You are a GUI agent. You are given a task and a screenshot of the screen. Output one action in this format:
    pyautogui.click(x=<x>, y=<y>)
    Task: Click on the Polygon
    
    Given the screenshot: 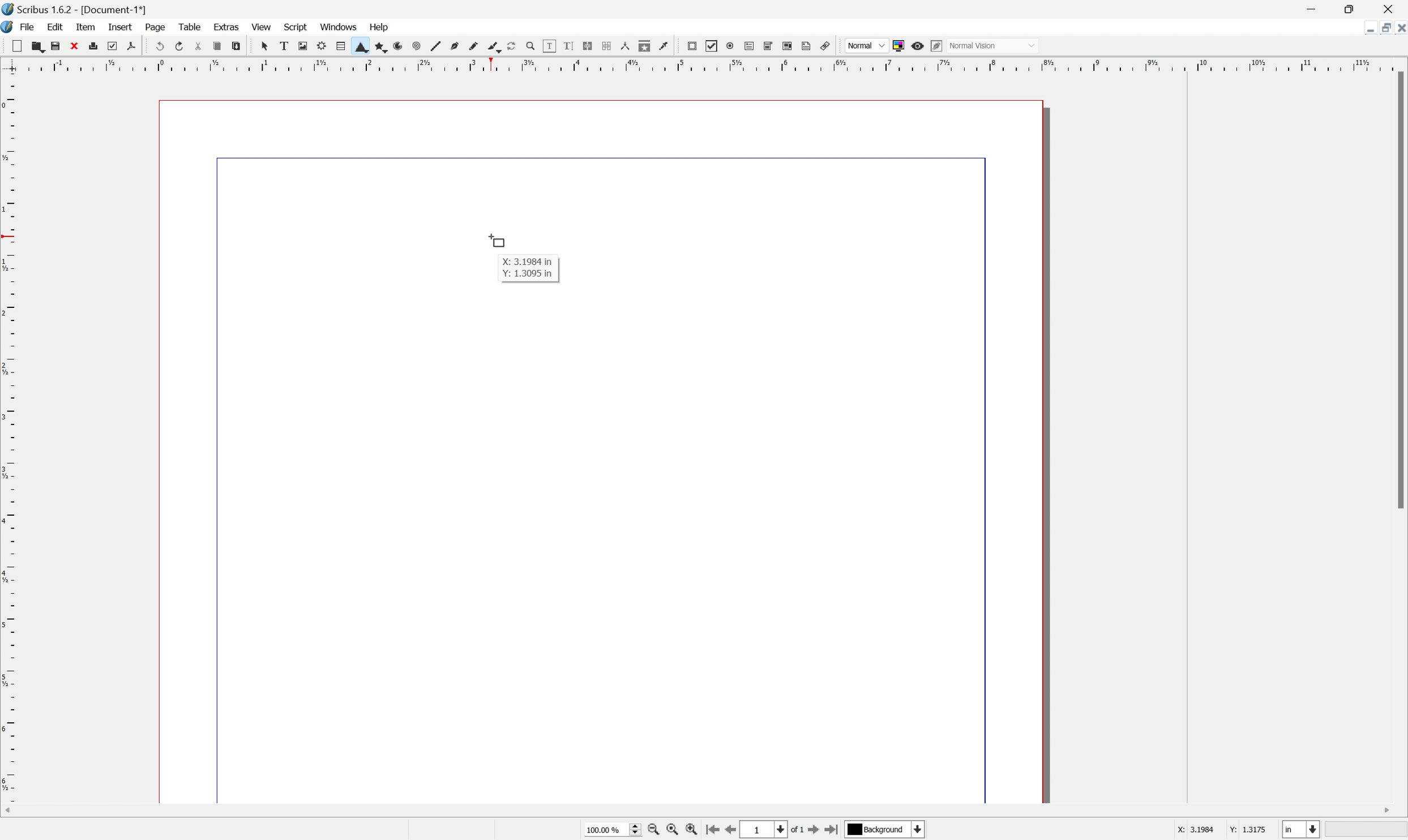 What is the action you would take?
    pyautogui.click(x=376, y=47)
    